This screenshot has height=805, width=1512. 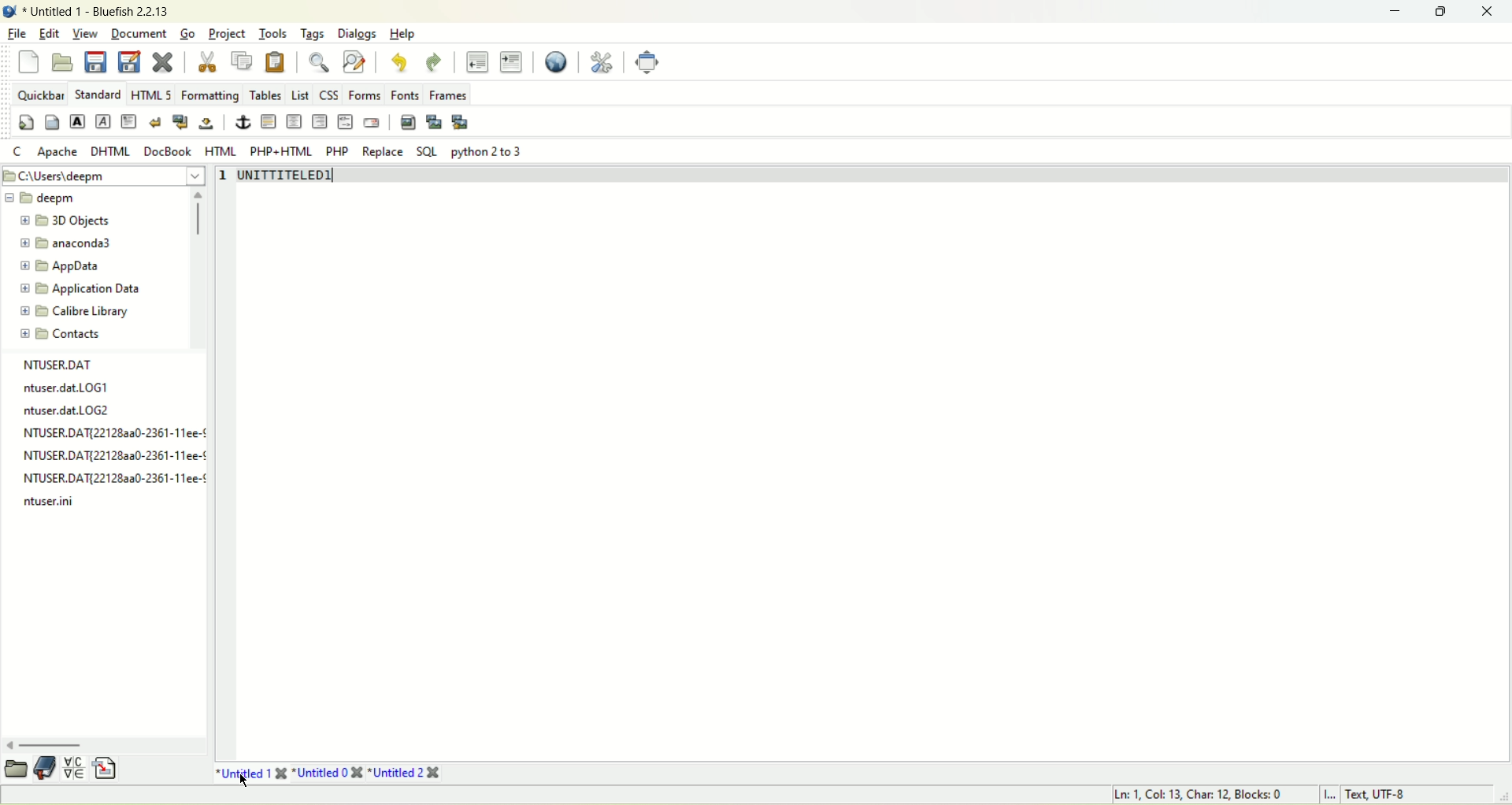 What do you see at coordinates (28, 61) in the screenshot?
I see `new ` at bounding box center [28, 61].